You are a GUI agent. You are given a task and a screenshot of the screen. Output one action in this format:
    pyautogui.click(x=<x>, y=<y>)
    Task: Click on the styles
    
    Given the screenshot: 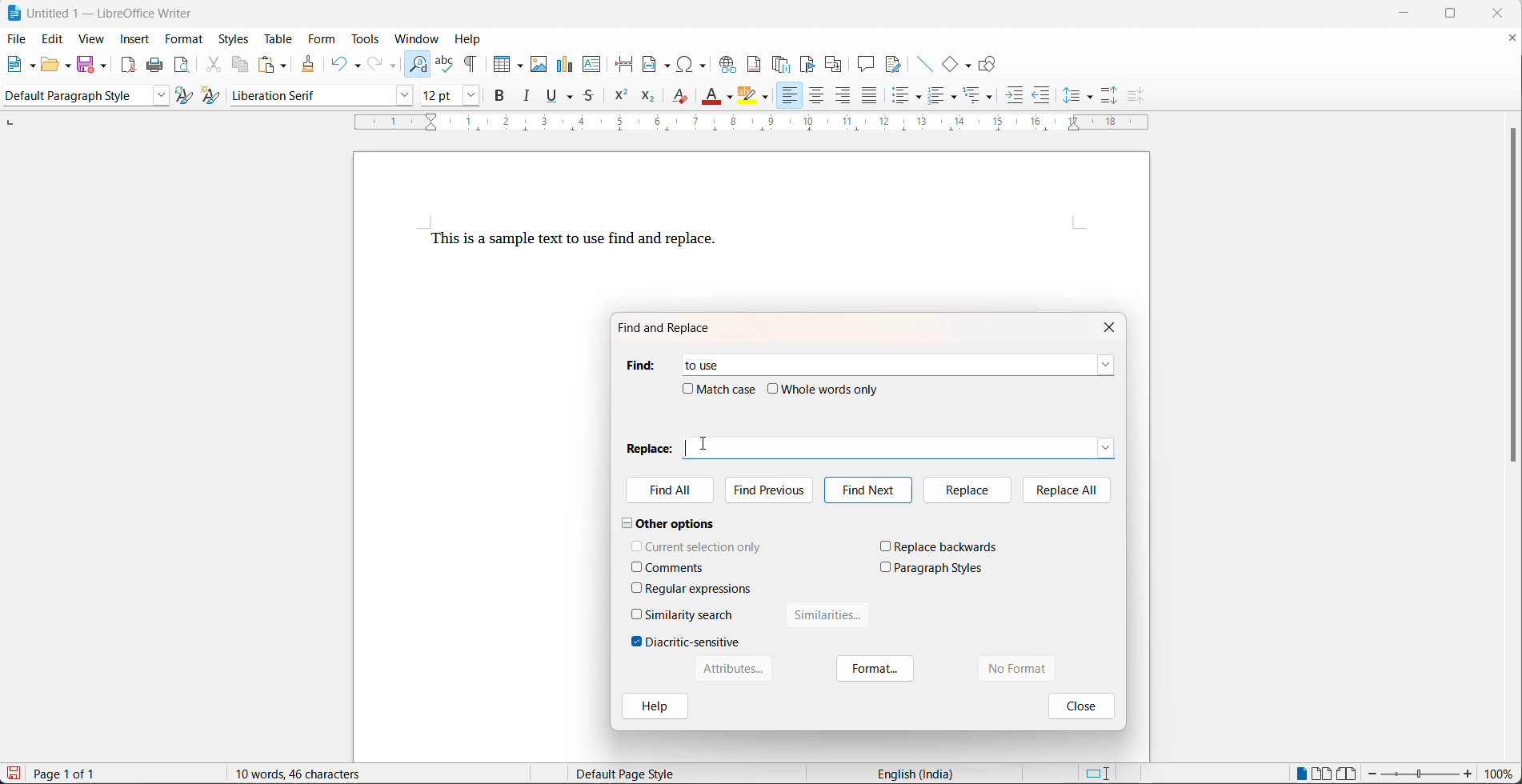 What is the action you would take?
    pyautogui.click(x=234, y=38)
    